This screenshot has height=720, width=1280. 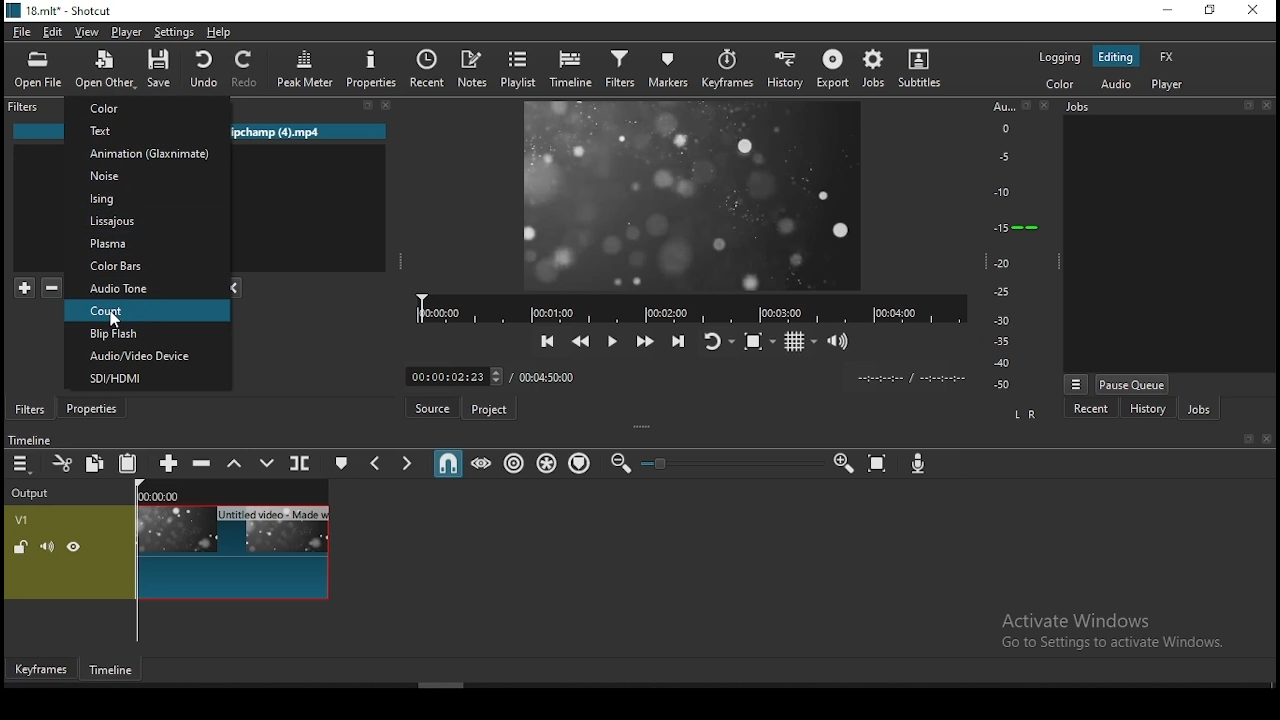 I want to click on cursor, so click(x=123, y=318).